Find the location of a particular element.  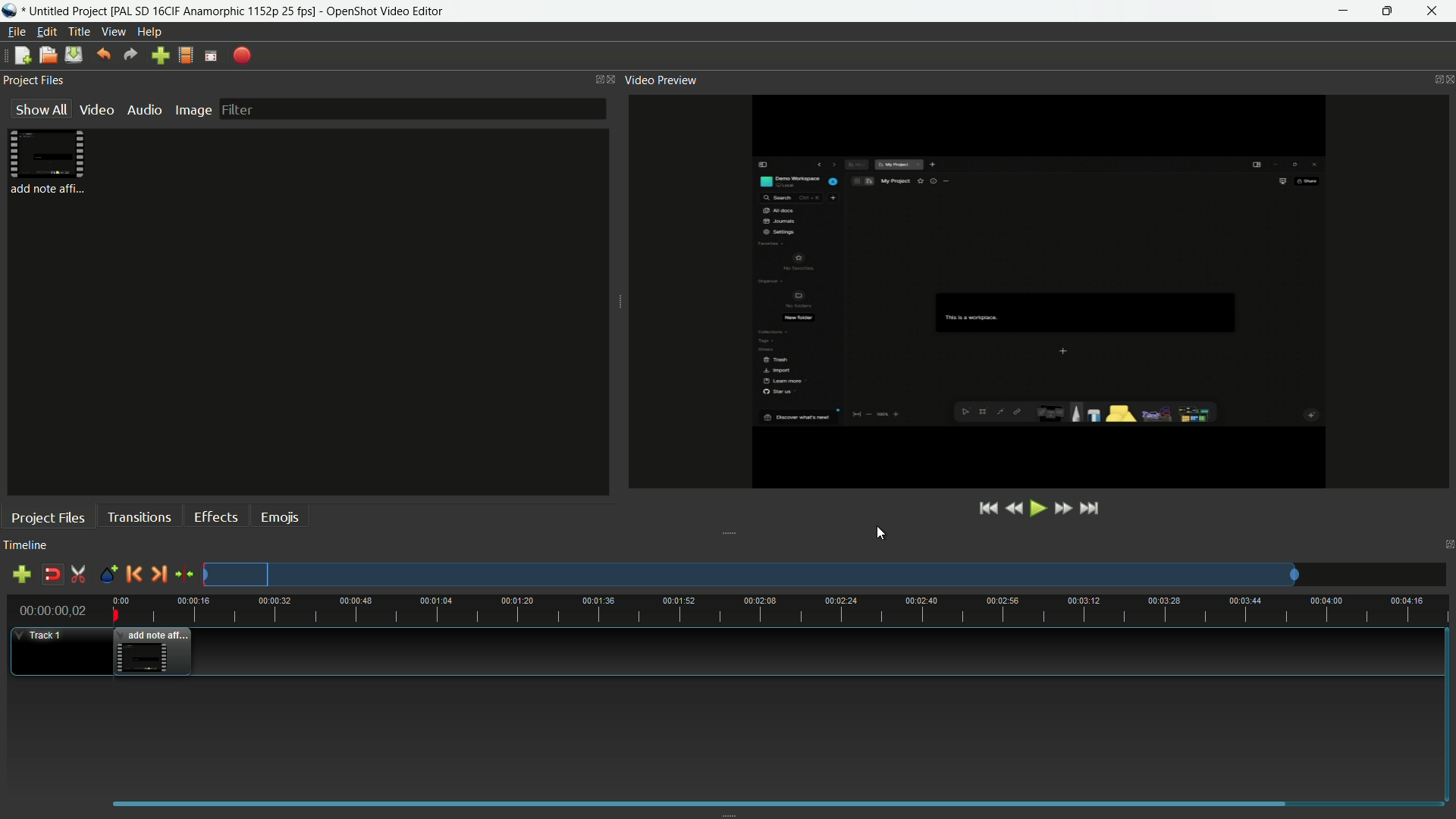

close timeline is located at coordinates (1447, 543).